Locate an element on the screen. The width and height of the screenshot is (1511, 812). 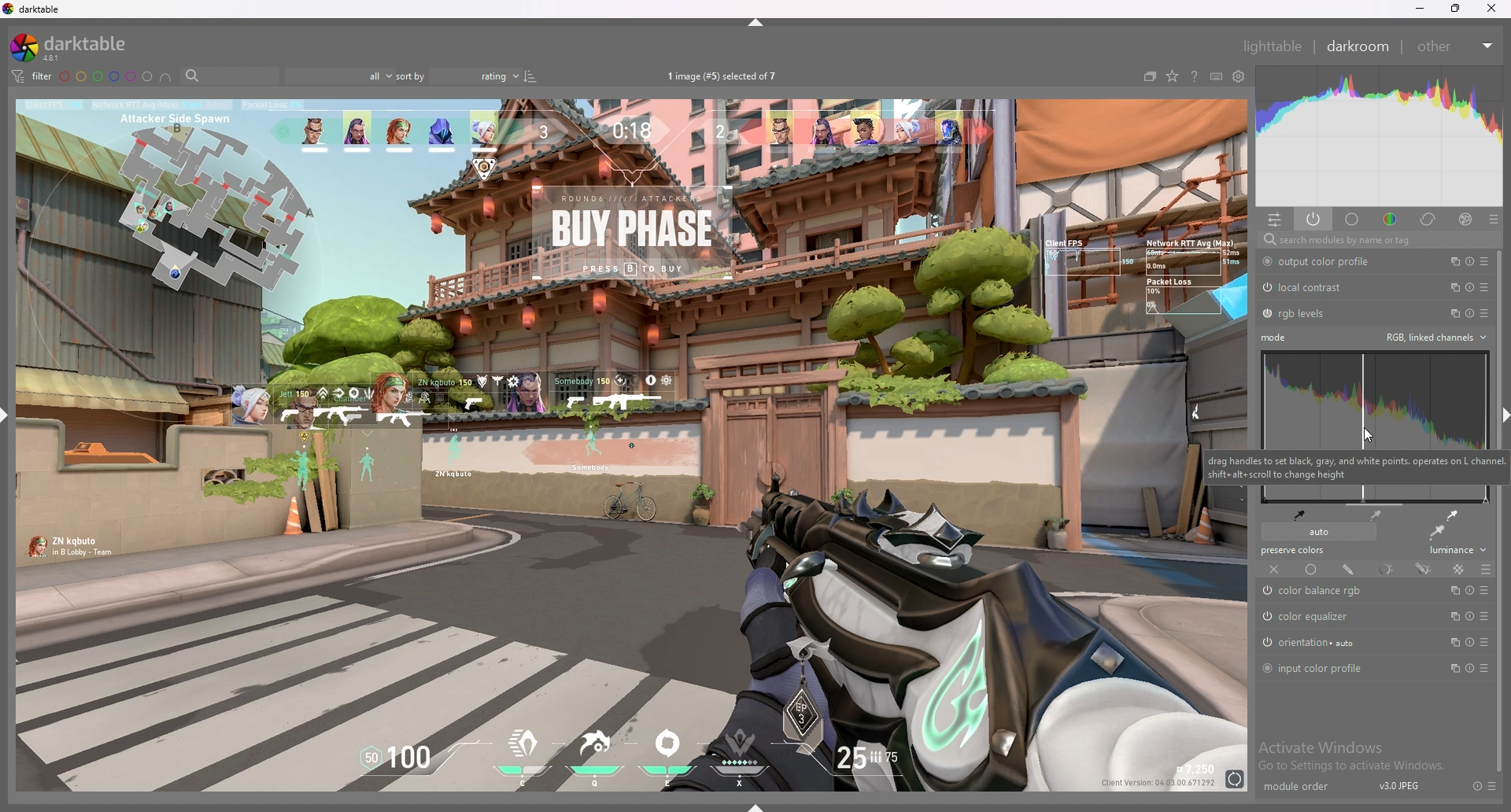
drawn and parametric mask is located at coordinates (1424, 568).